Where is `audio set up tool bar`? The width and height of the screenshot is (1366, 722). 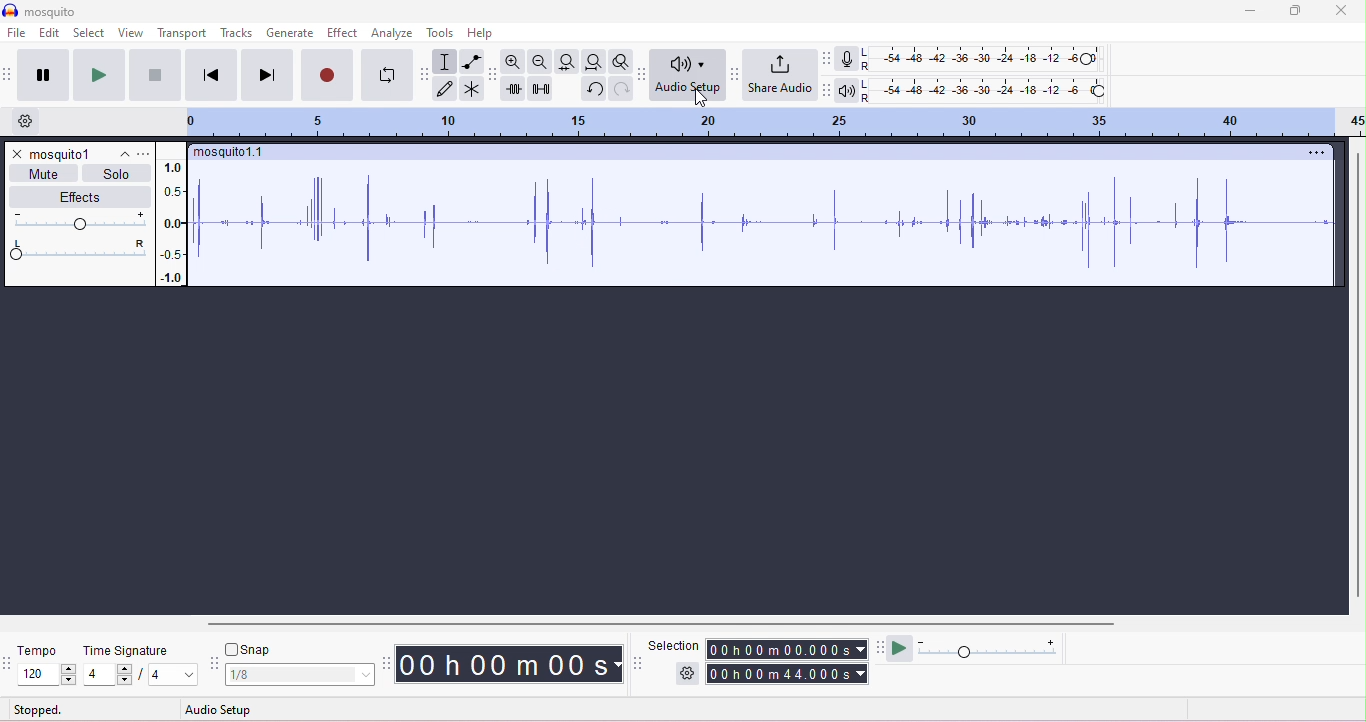 audio set up tool bar is located at coordinates (644, 74).